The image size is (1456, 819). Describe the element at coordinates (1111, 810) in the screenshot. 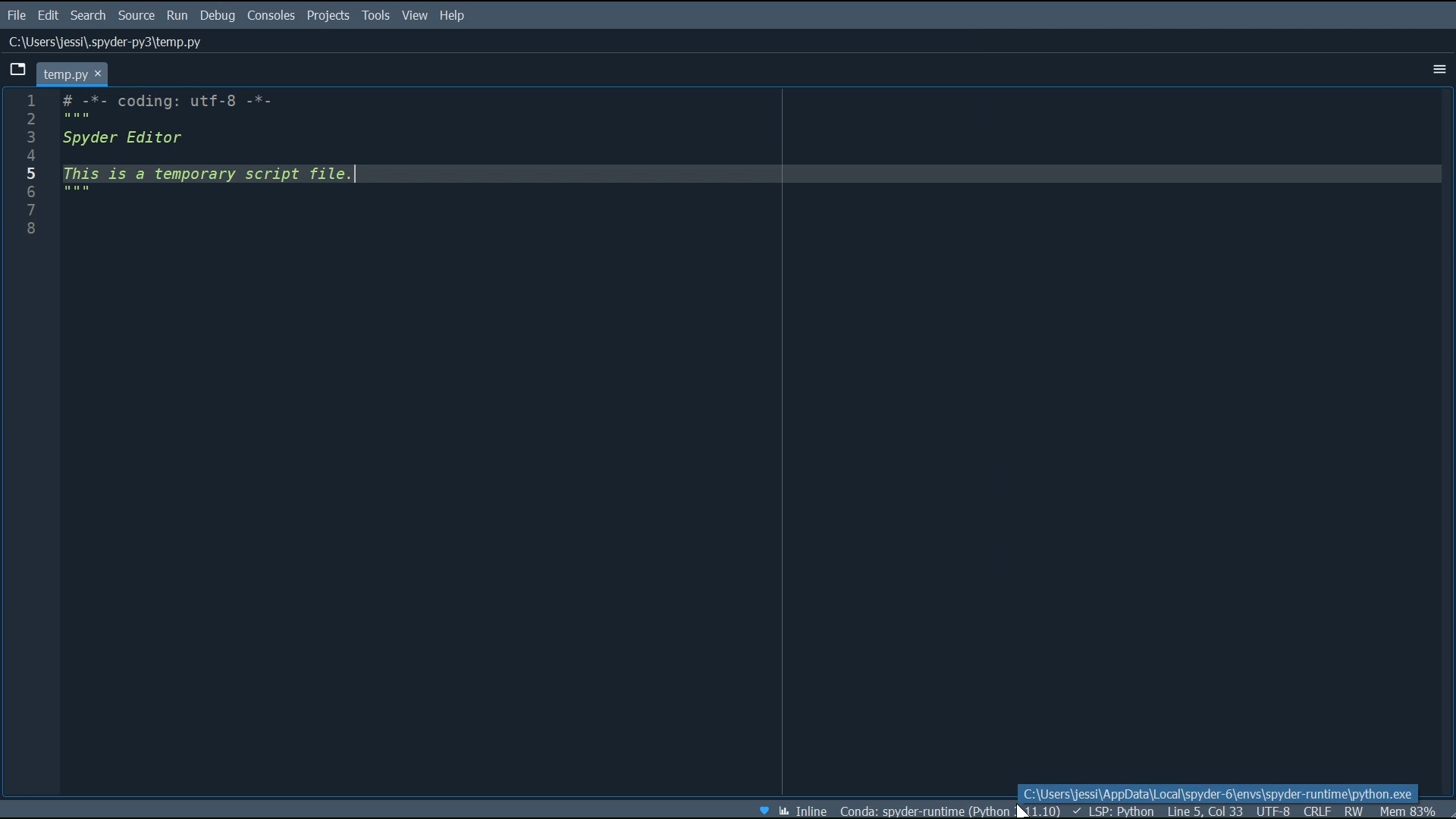

I see `LSP: PYTHON` at that location.